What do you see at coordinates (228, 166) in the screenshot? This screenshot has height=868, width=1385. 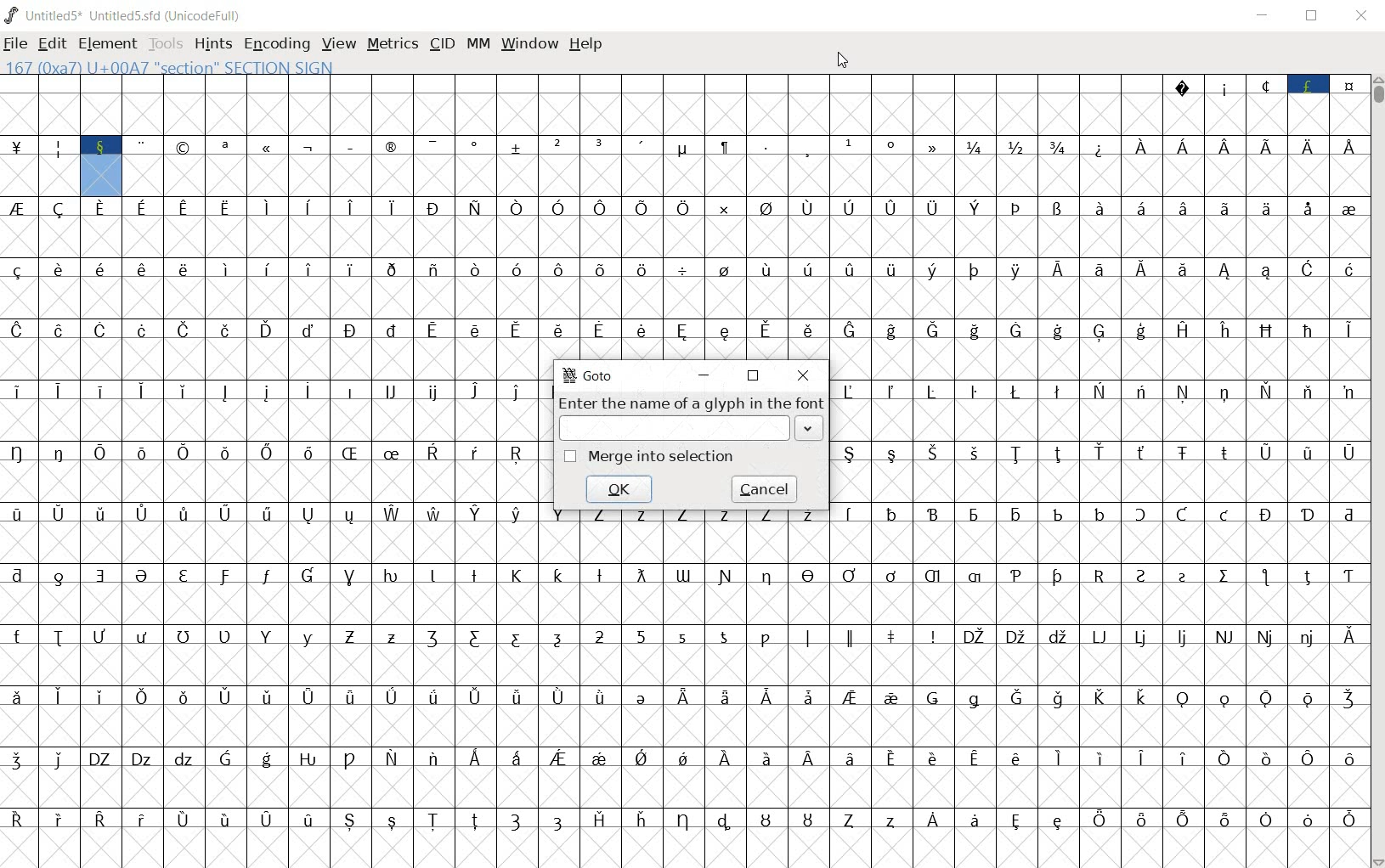 I see `special characters` at bounding box center [228, 166].